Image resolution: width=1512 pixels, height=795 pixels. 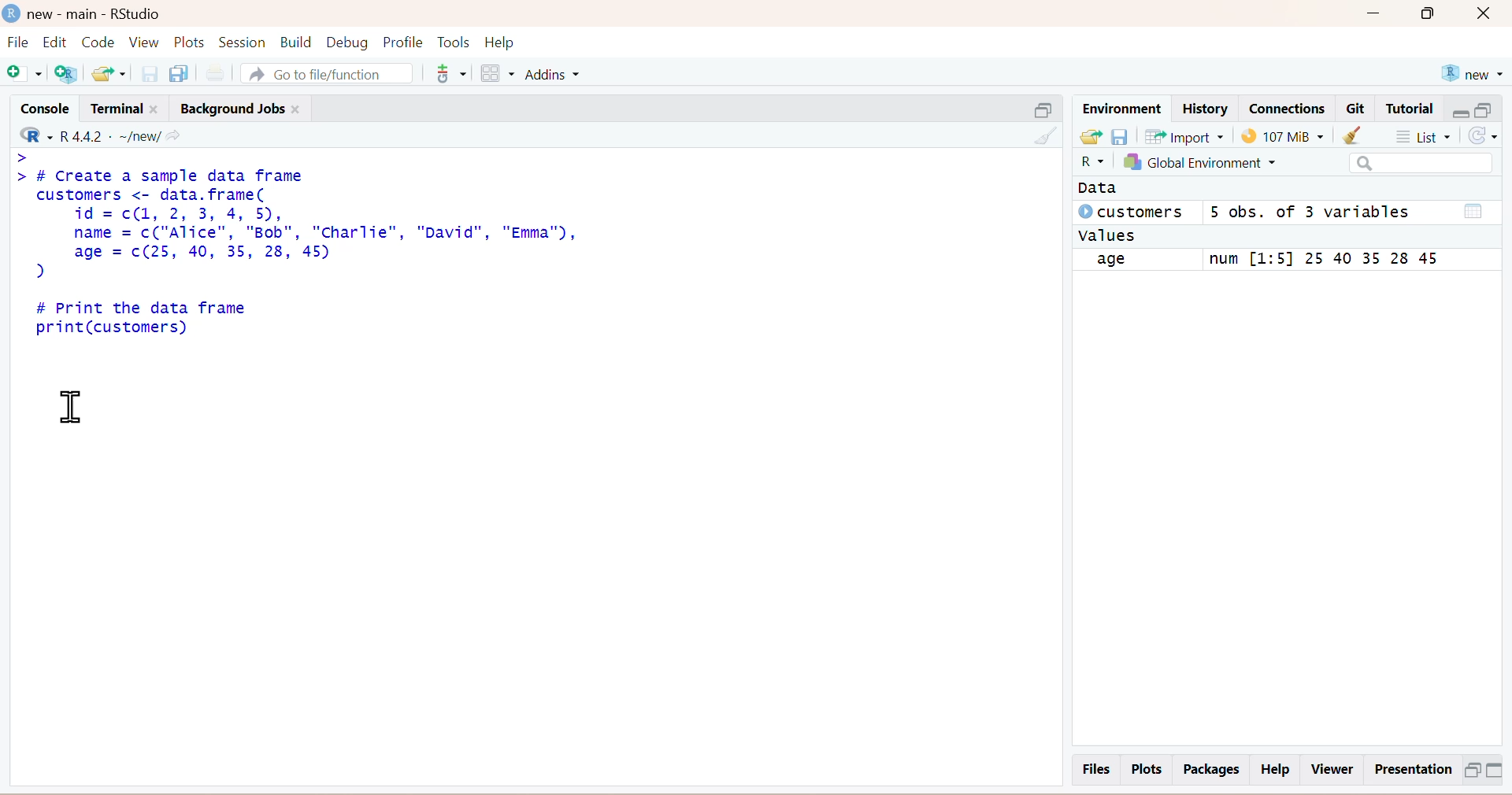 What do you see at coordinates (243, 105) in the screenshot?
I see `Background Jobs` at bounding box center [243, 105].